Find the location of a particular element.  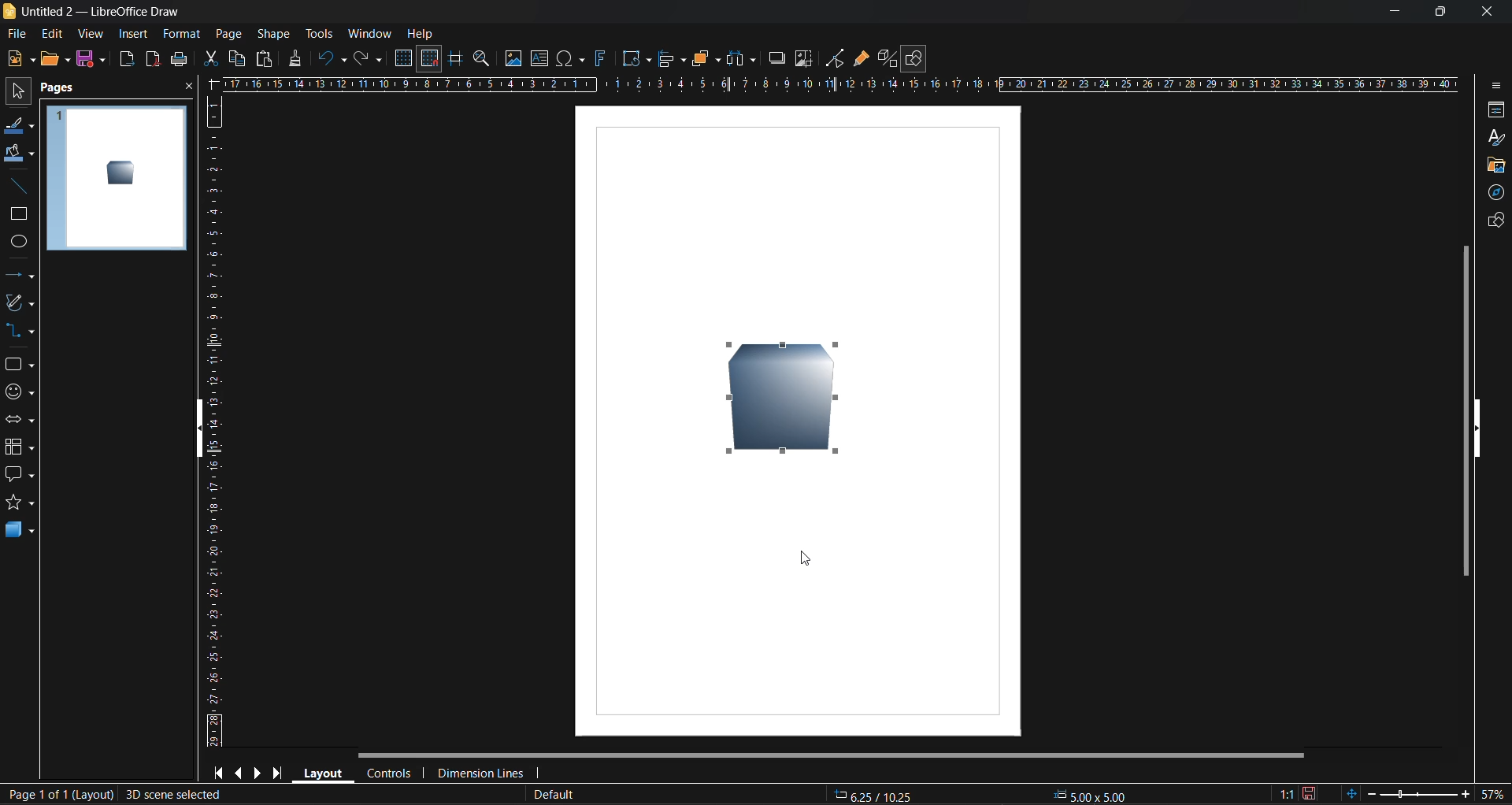

zoom out is located at coordinates (1371, 792).